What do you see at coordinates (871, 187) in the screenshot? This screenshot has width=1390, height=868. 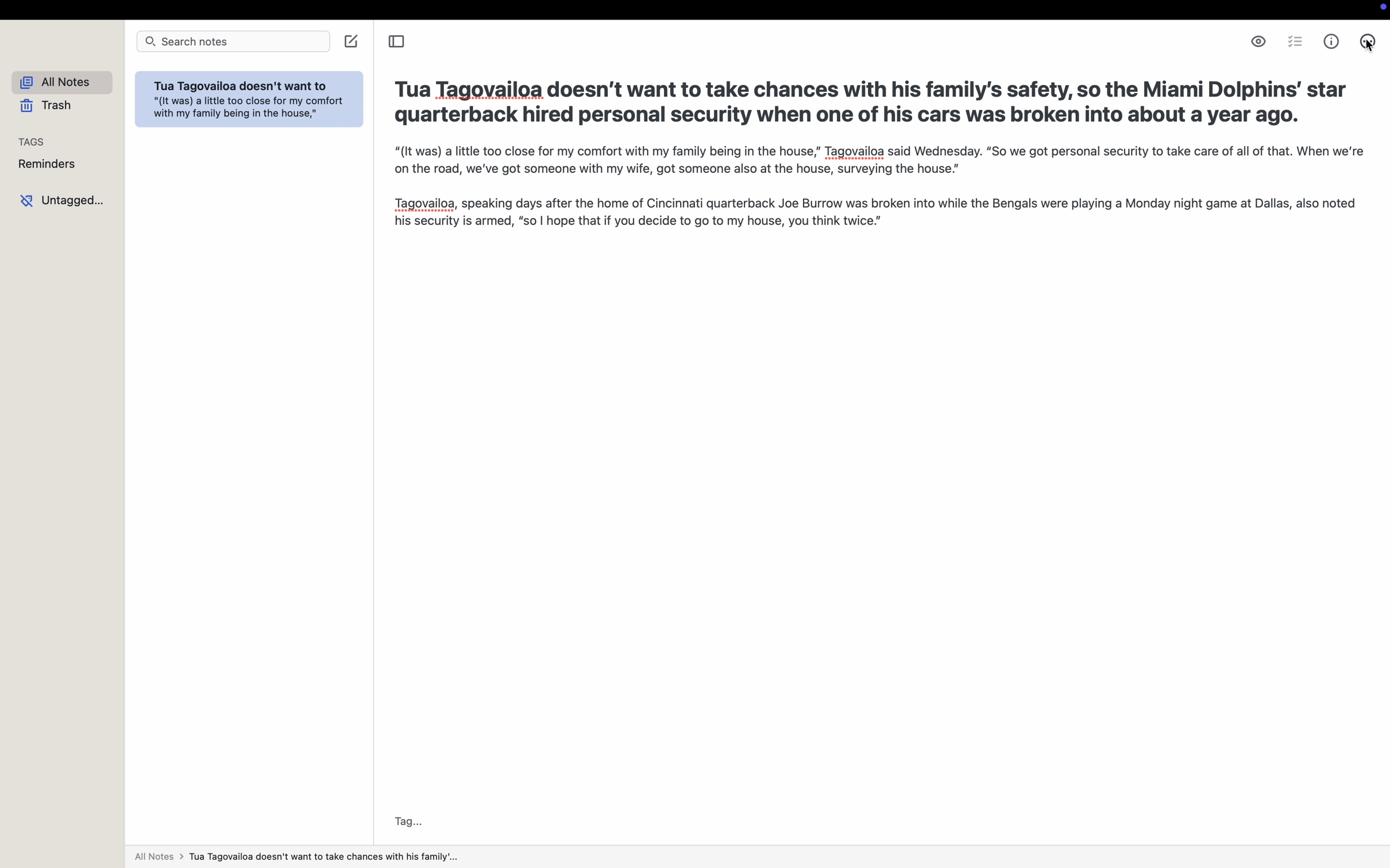 I see `“(It was) a little too close for my comfort with my family being in the house,” Tagovailoa said Wednesday. “So we got personal security to take care of all of that. When we're
on the road, we've got someone with my wife, got someone also at the house, surveying the house.”

Tagovailoa, speaking days after the home of Cincinnati quarterback Joe Burrow was broken into while the Bengals were playing a Monday night game at Dallas, also noted
his security is armed, "so | hope that if you decide to go to my house, you think twice.”` at bounding box center [871, 187].